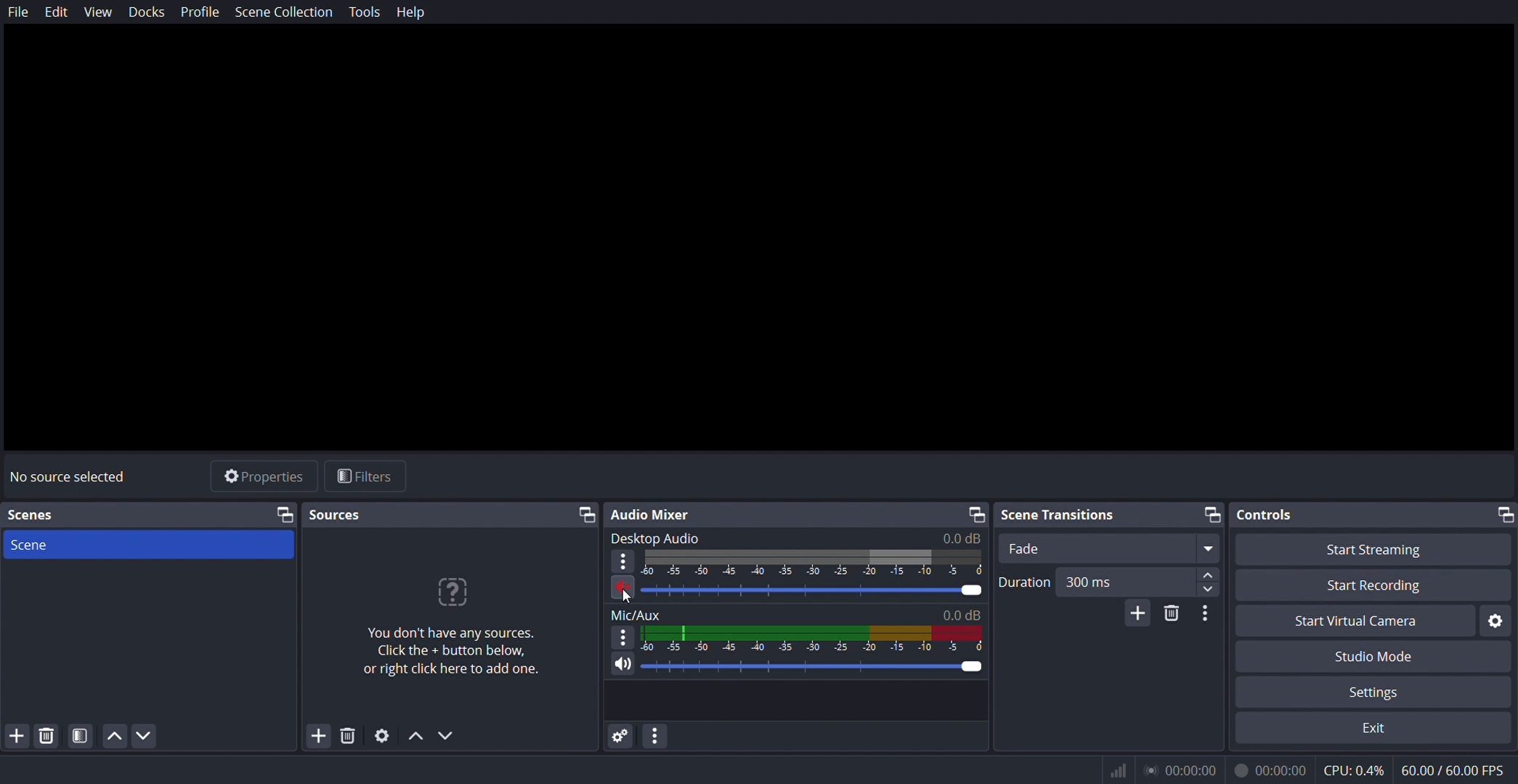  Describe the element at coordinates (659, 736) in the screenshot. I see `configure audio settings` at that location.